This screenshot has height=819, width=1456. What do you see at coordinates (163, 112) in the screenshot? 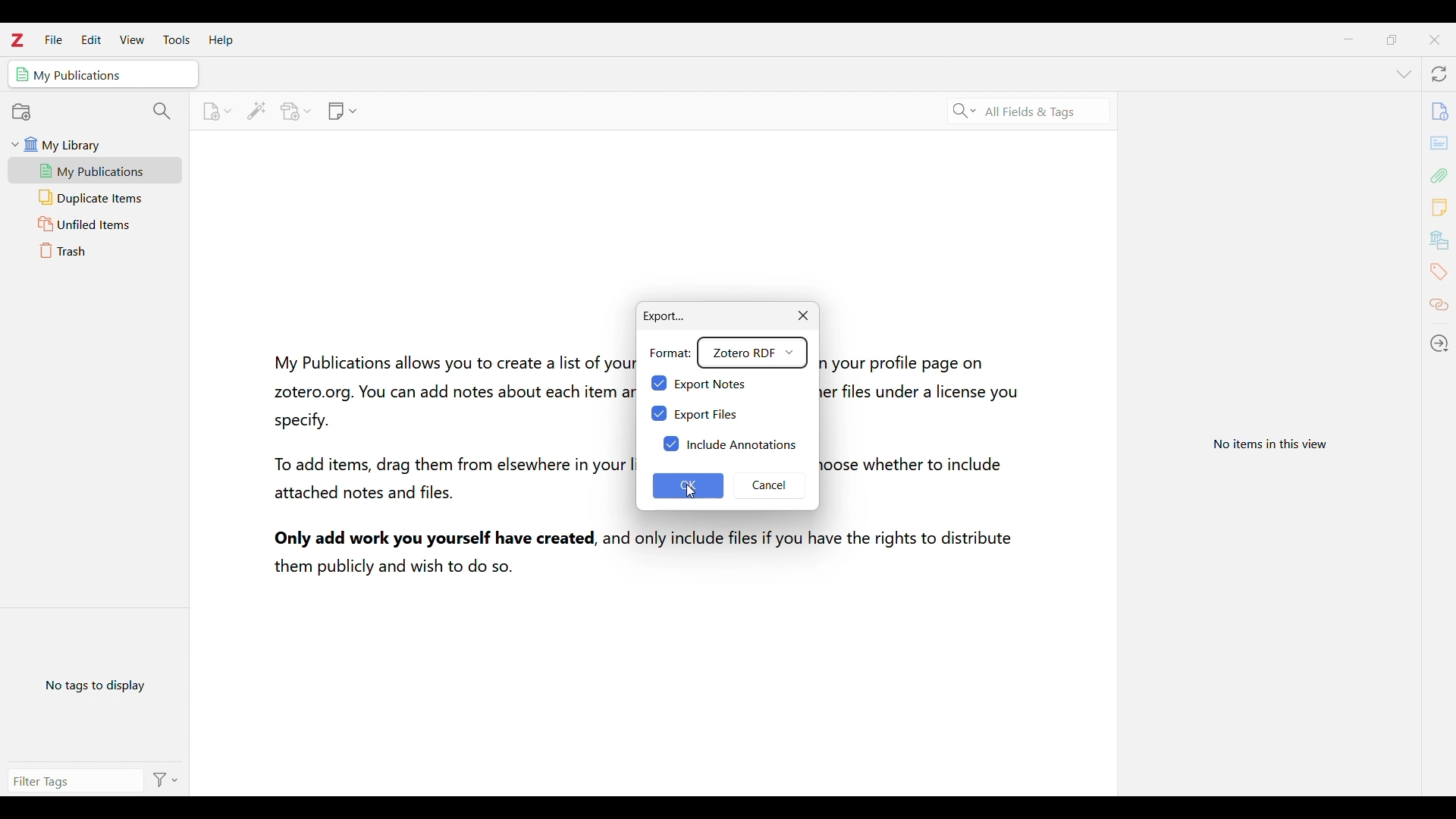
I see `Filter collections` at bounding box center [163, 112].